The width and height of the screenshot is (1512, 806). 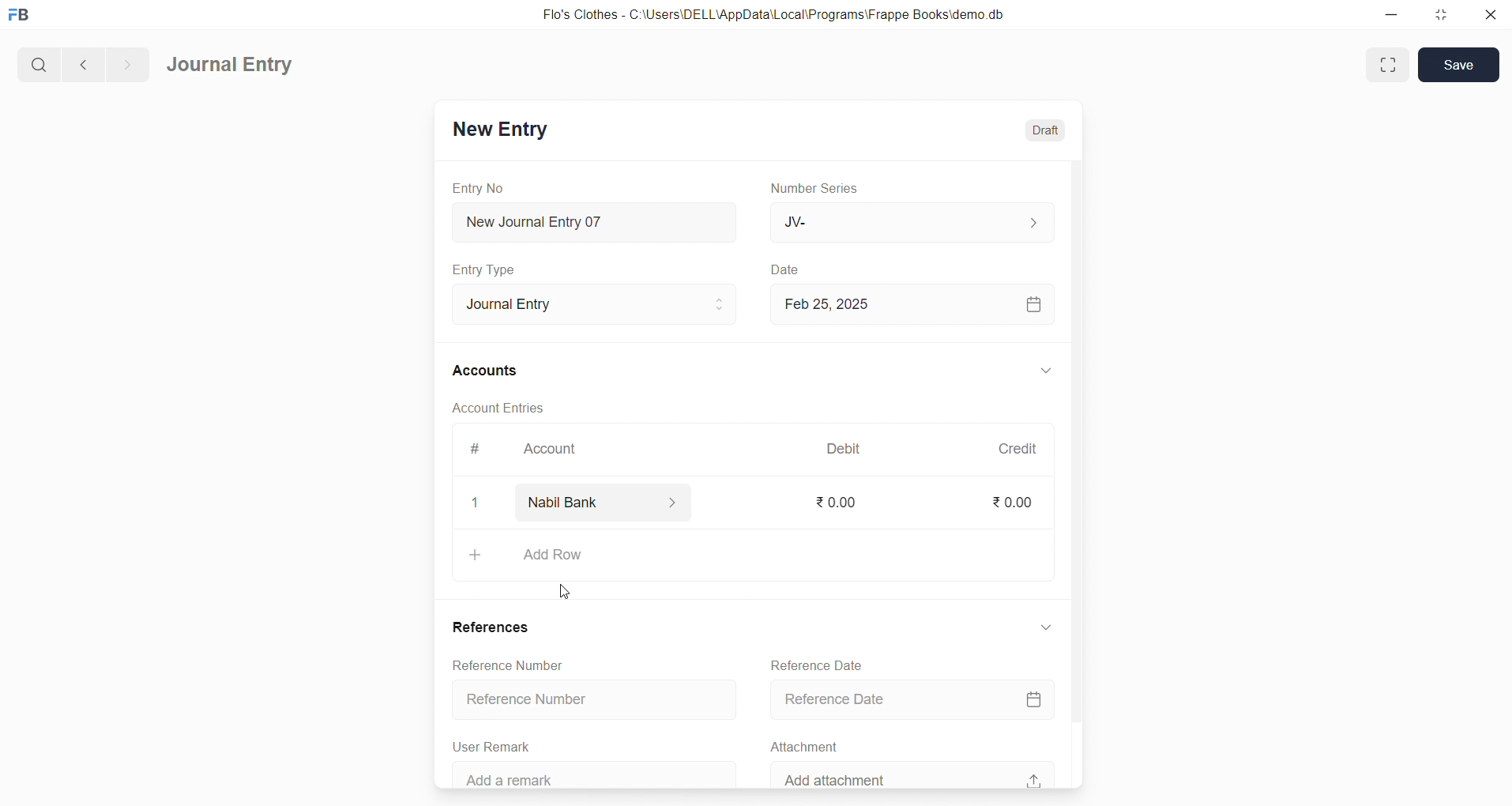 What do you see at coordinates (844, 447) in the screenshot?
I see `Debit` at bounding box center [844, 447].